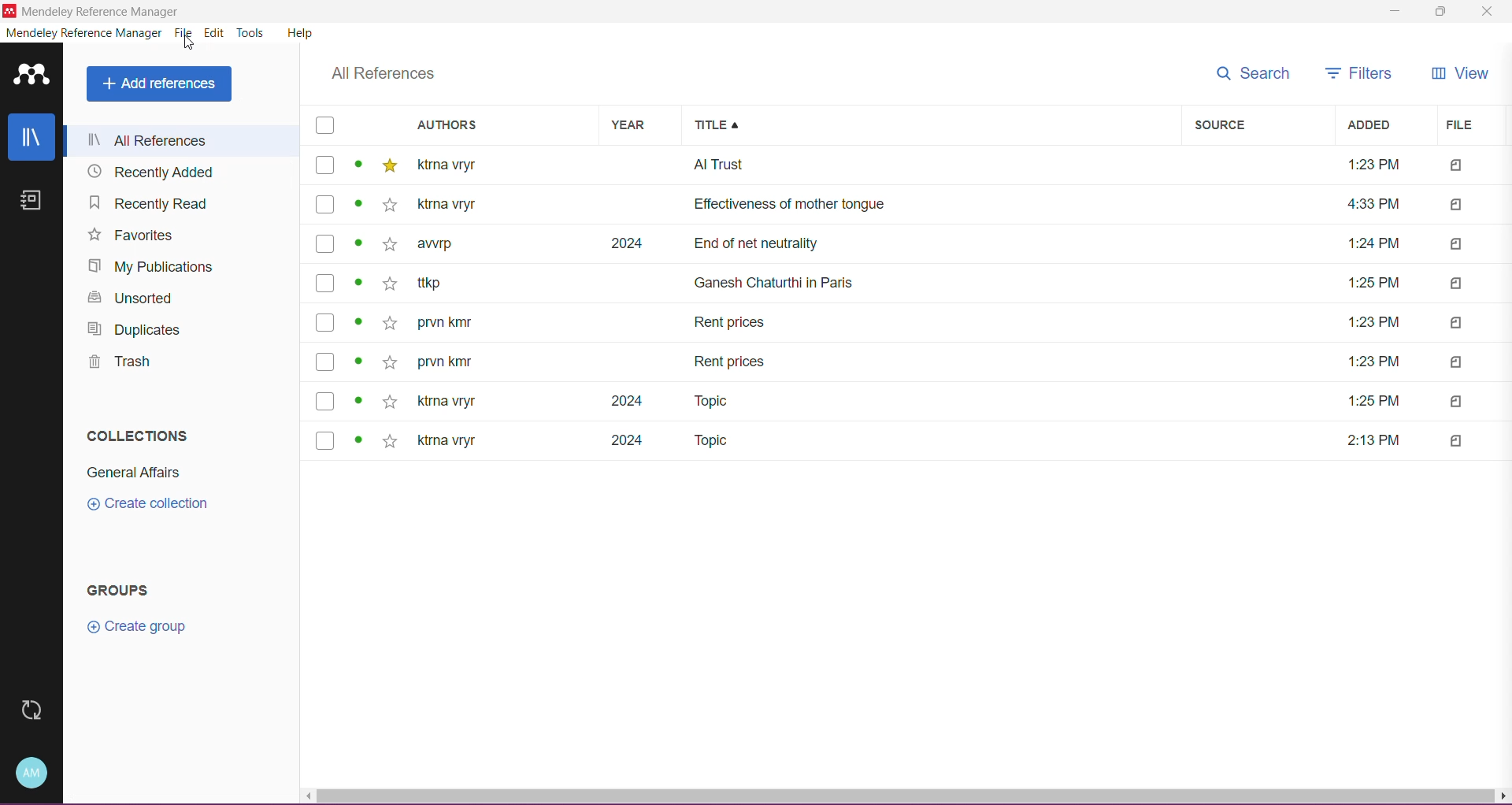 This screenshot has height=805, width=1512. I want to click on Files Attached, so click(1471, 302).